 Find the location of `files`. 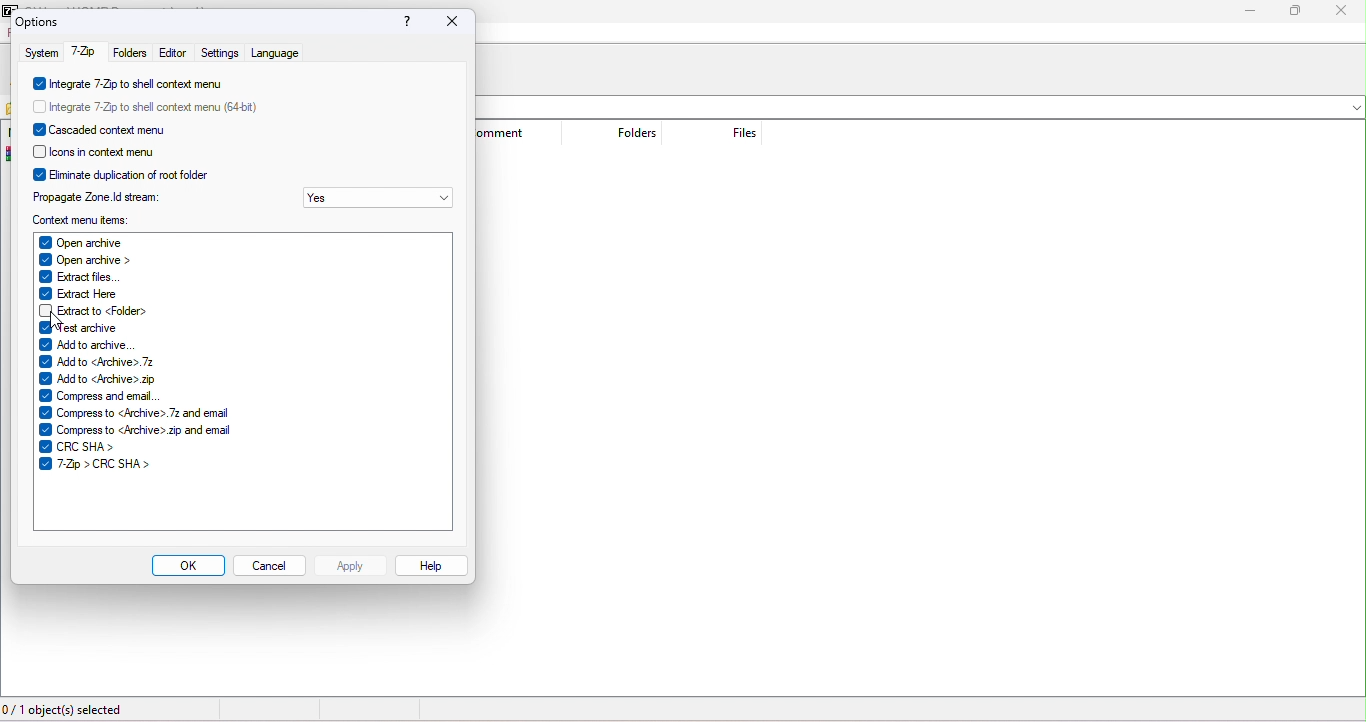

files is located at coordinates (731, 134).